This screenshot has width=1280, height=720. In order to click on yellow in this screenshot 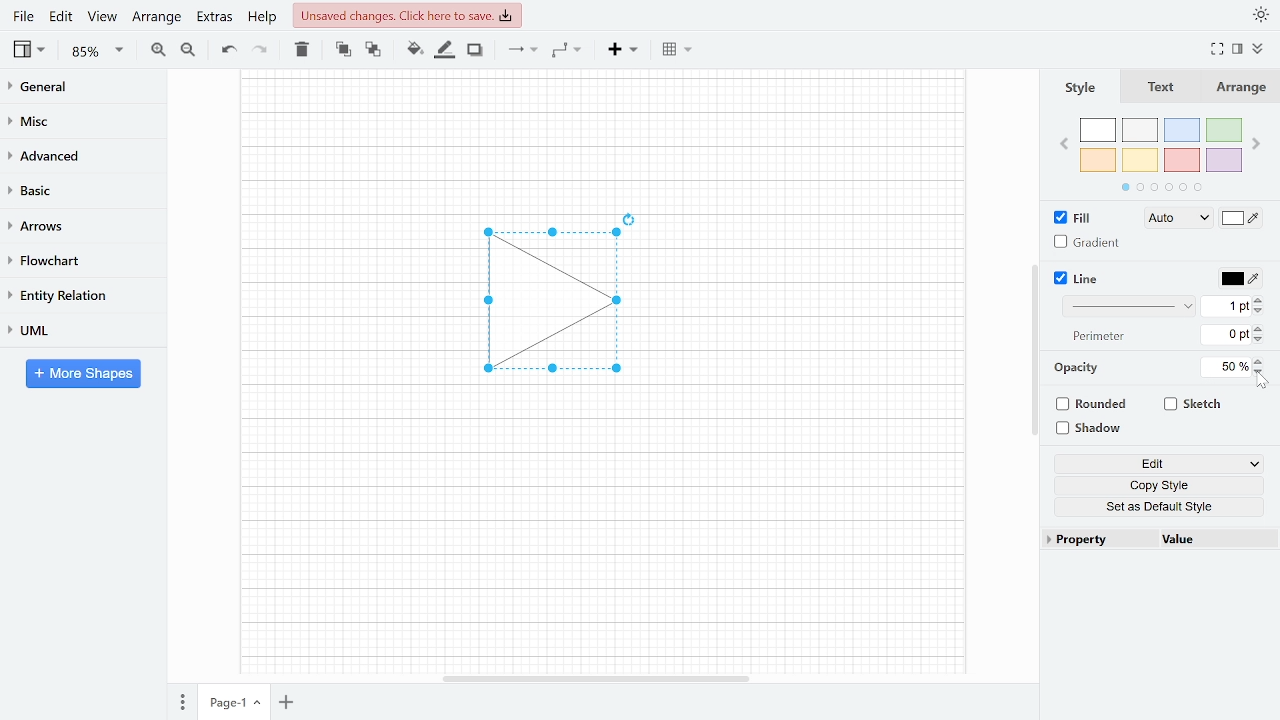, I will do `click(1141, 159)`.